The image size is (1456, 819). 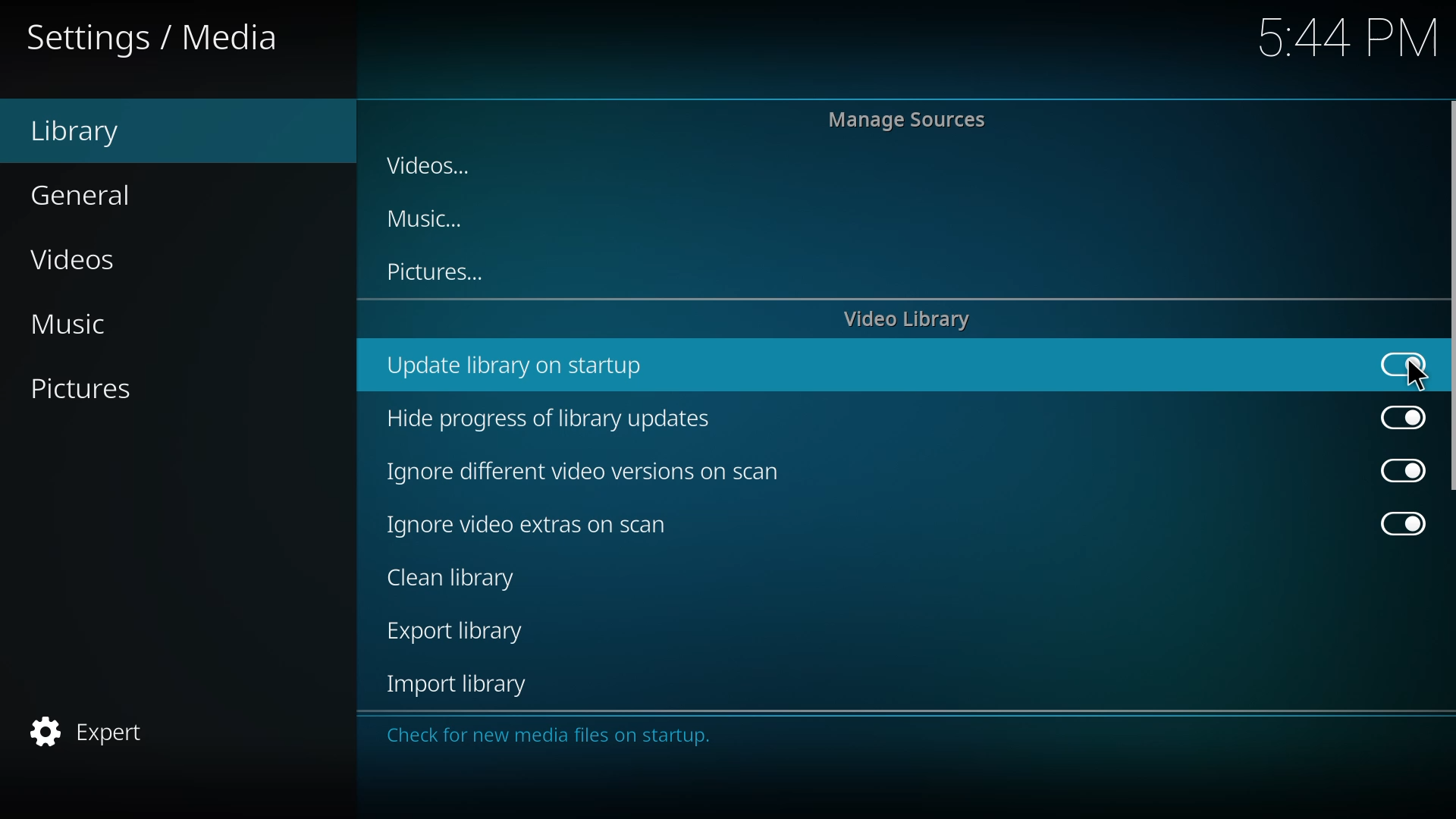 What do you see at coordinates (1398, 469) in the screenshot?
I see `enabled` at bounding box center [1398, 469].